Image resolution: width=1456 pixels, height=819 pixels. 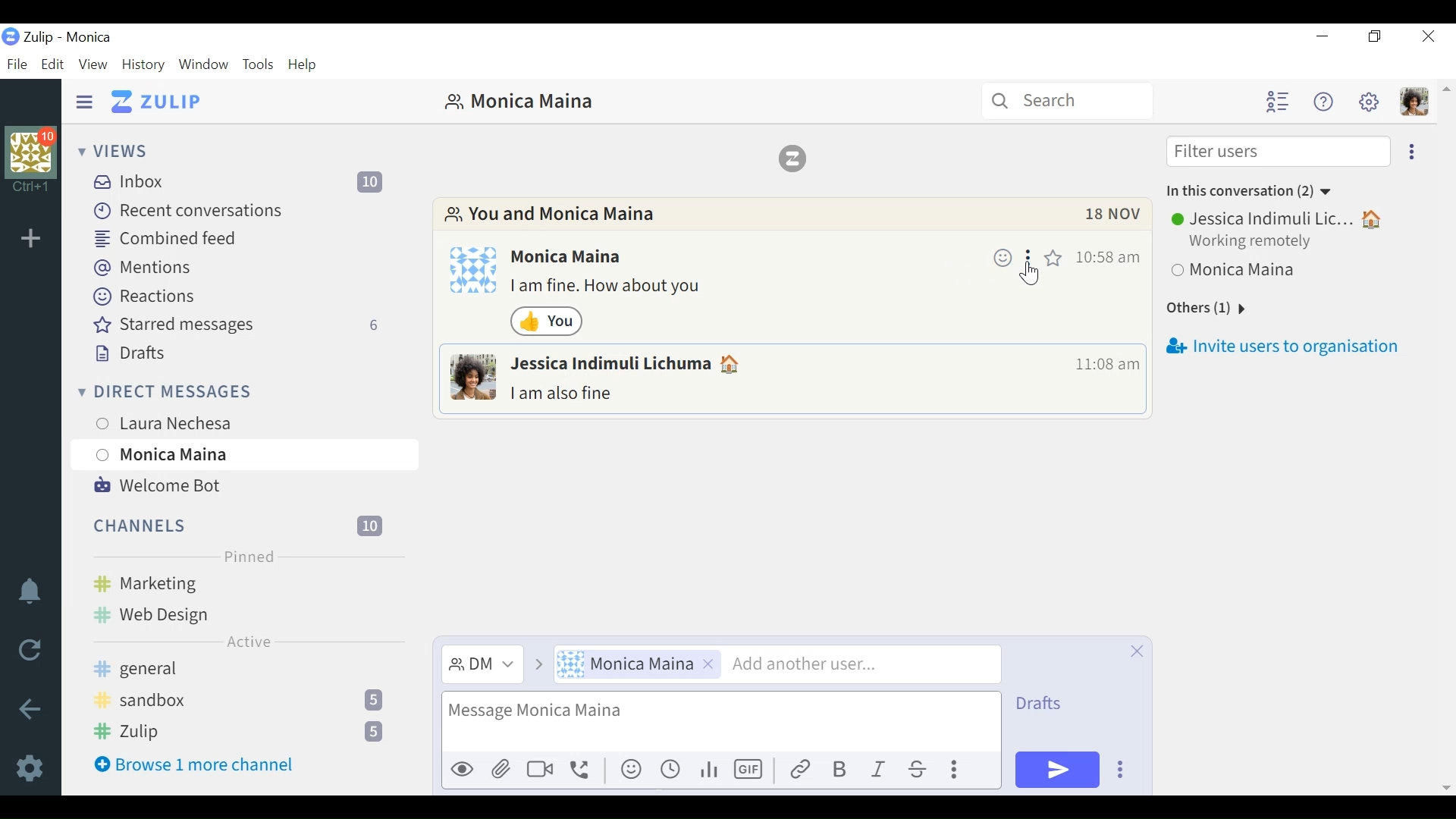 I want to click on Close, so click(x=1426, y=38).